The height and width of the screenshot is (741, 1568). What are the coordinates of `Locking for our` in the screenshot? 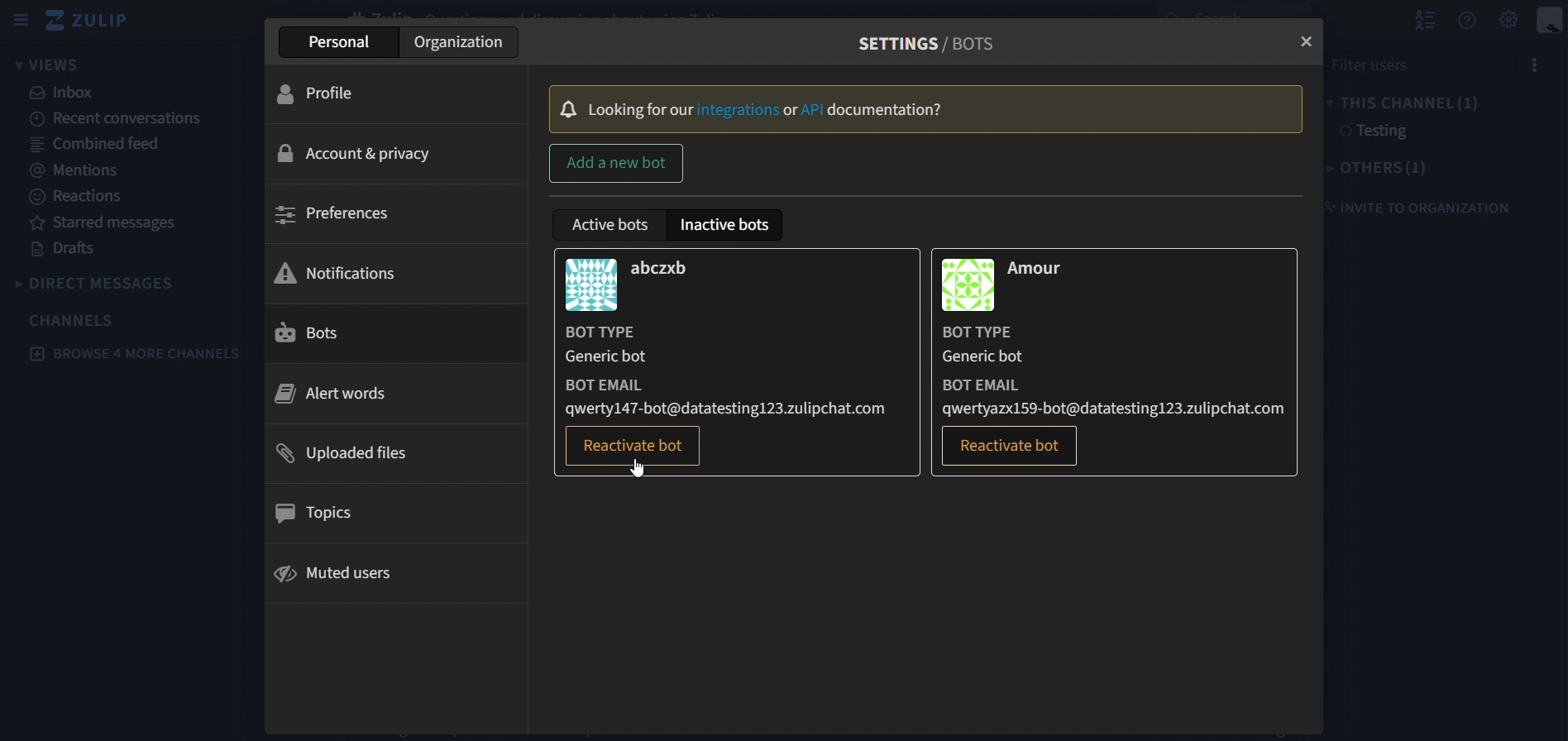 It's located at (638, 109).